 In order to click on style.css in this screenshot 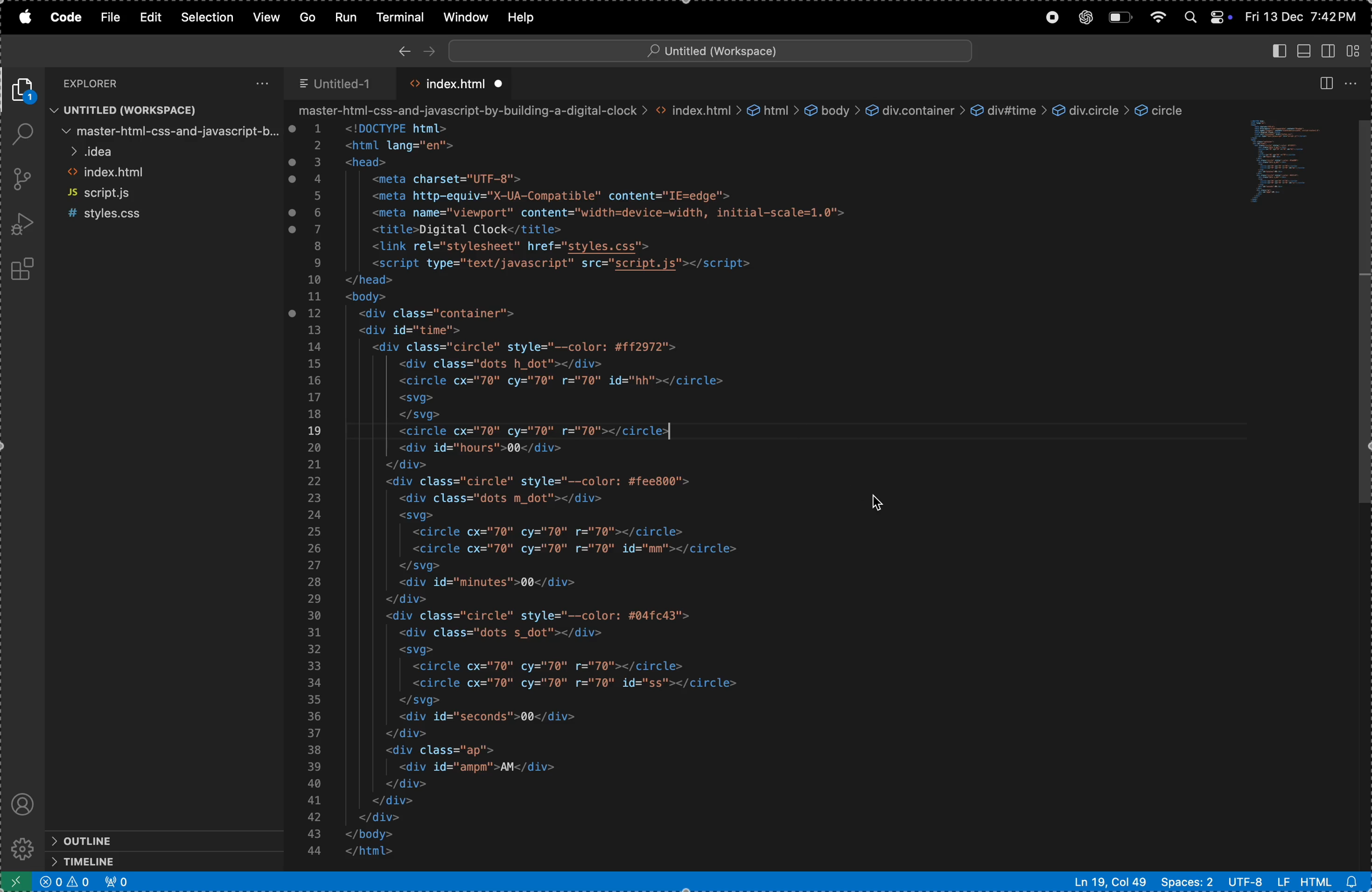, I will do `click(163, 213)`.